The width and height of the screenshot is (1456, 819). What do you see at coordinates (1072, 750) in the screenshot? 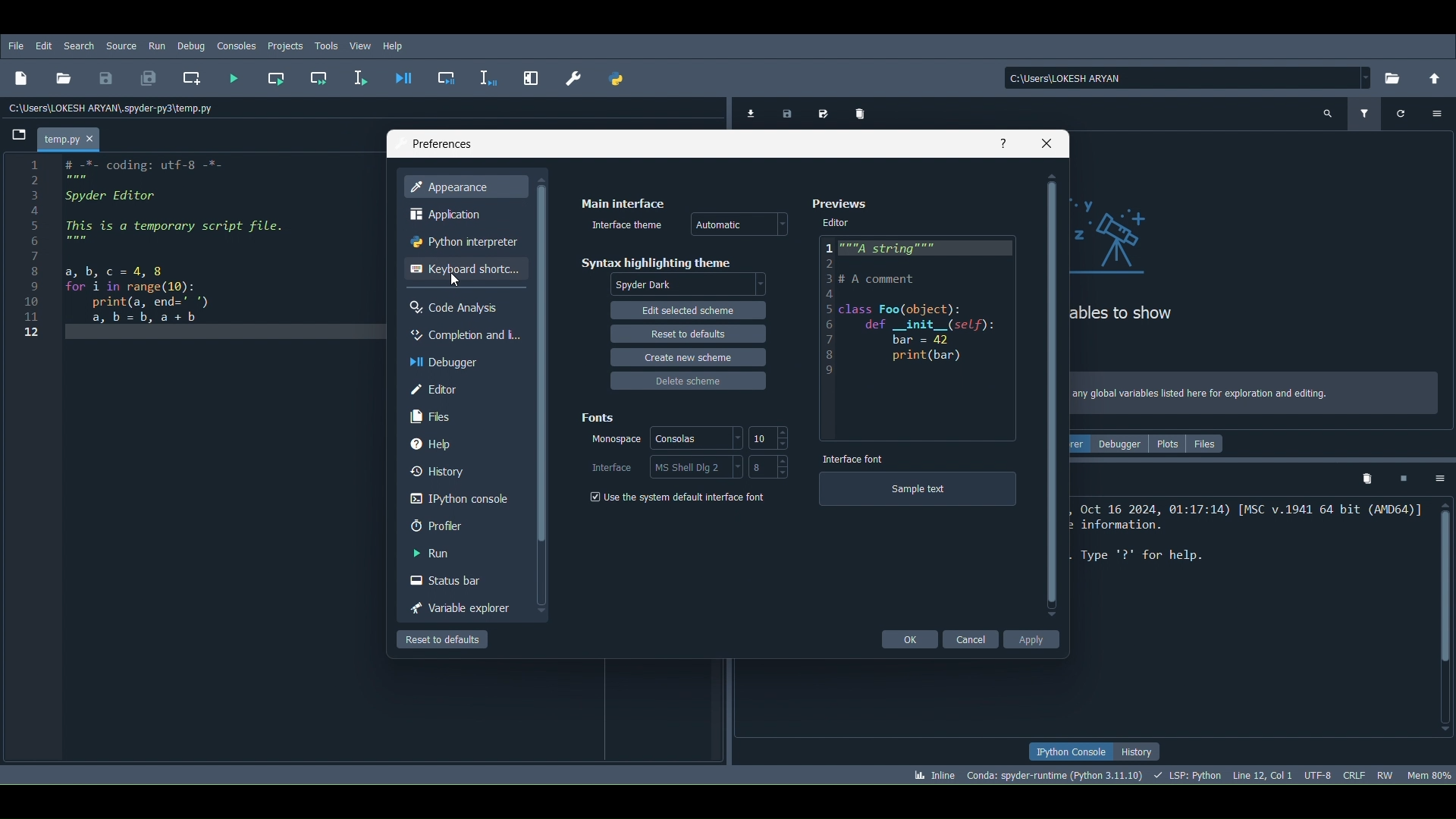
I see `IPython console` at bounding box center [1072, 750].